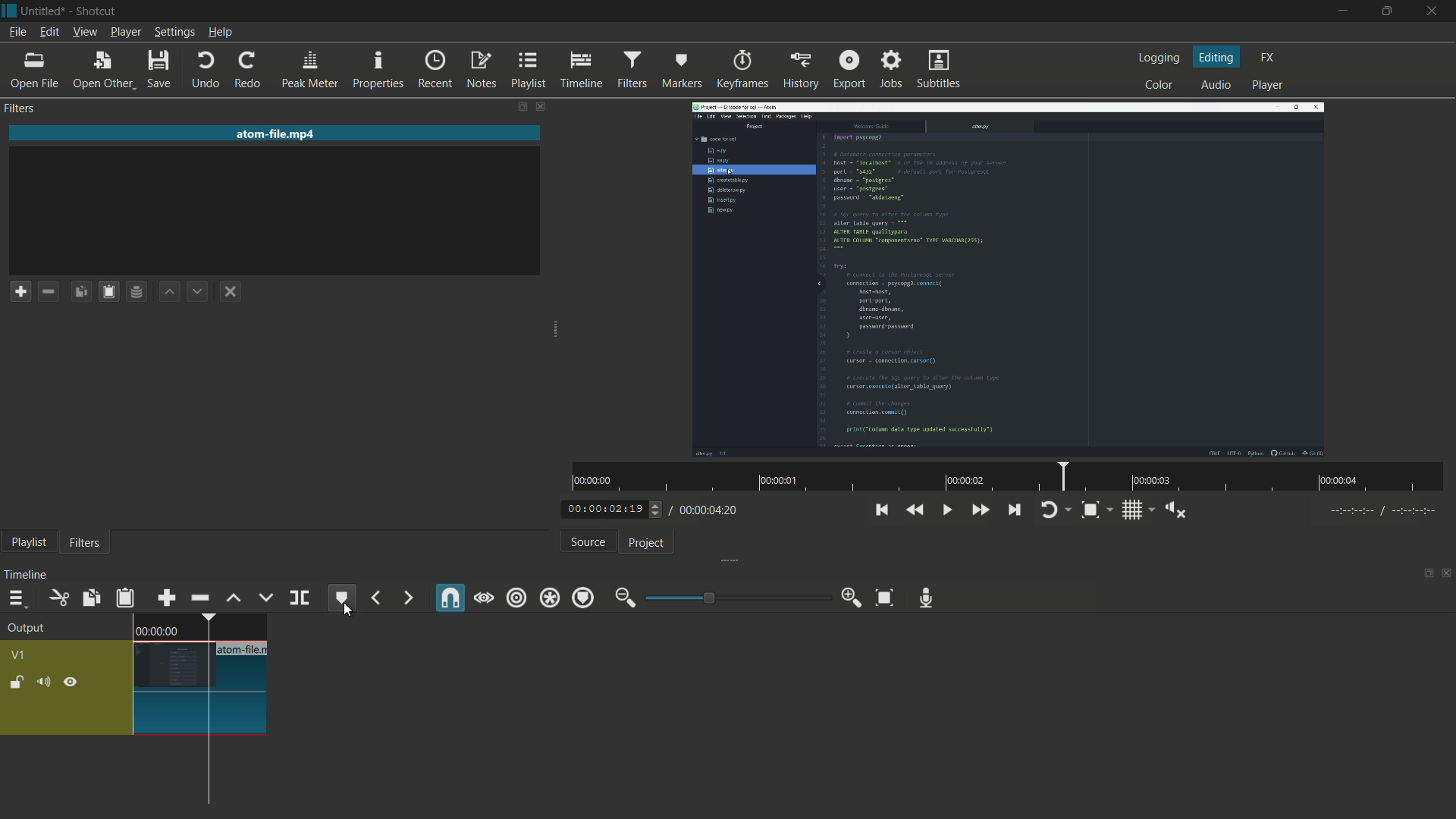 The image size is (1456, 819). Describe the element at coordinates (484, 599) in the screenshot. I see `scrub while dragging` at that location.